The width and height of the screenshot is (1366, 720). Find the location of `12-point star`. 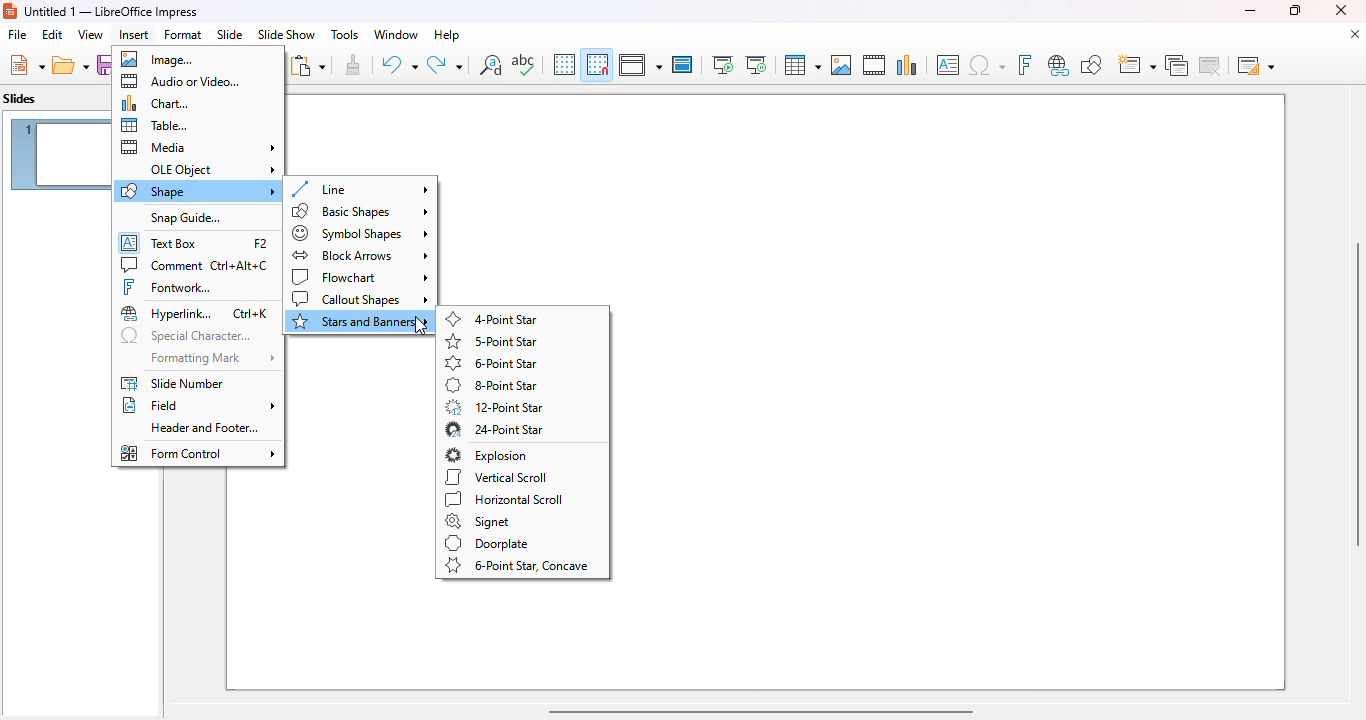

12-point star is located at coordinates (494, 407).